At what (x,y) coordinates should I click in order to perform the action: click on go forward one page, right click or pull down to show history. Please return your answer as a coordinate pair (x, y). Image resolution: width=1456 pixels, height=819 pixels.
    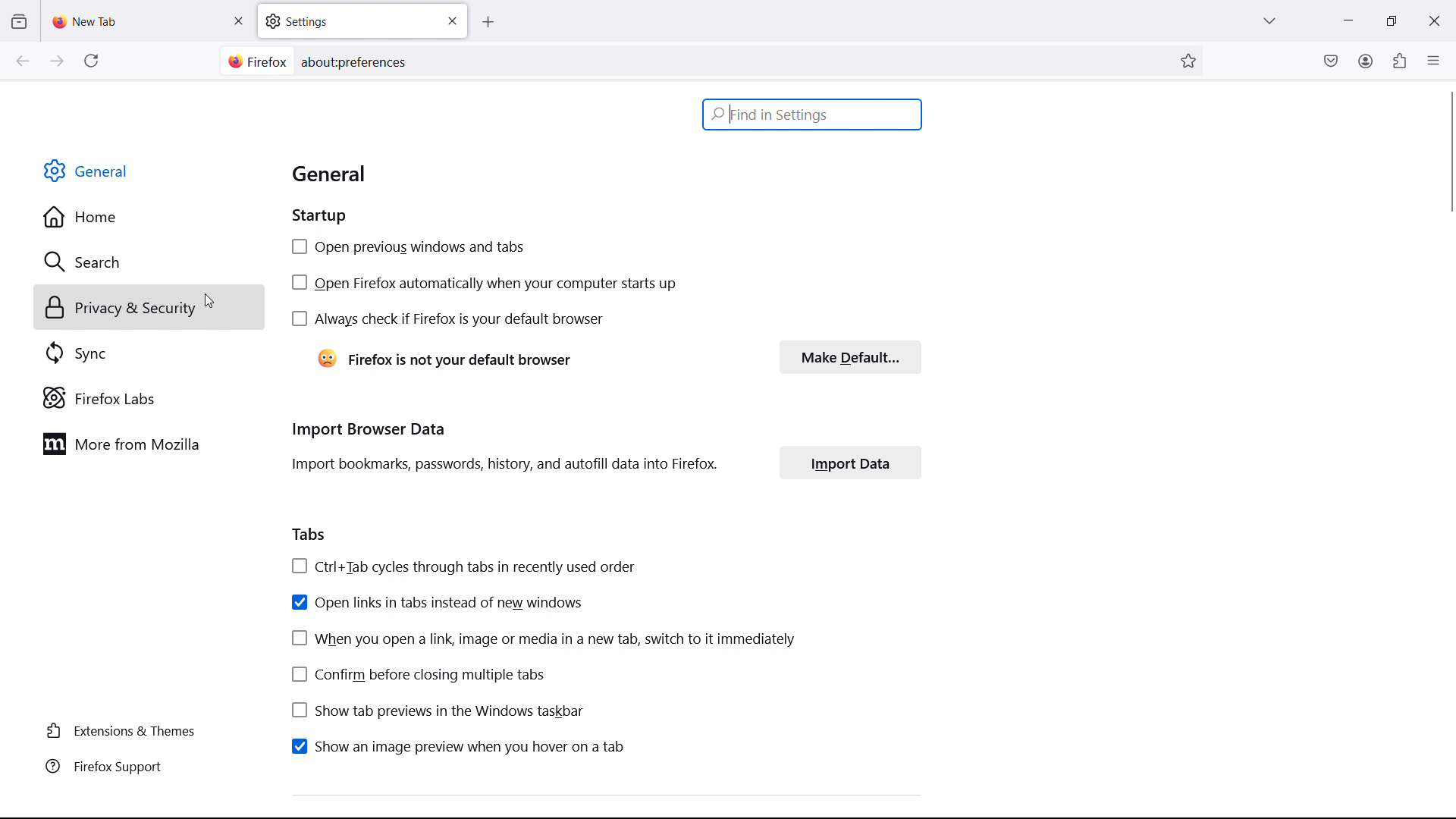
    Looking at the image, I should click on (57, 61).